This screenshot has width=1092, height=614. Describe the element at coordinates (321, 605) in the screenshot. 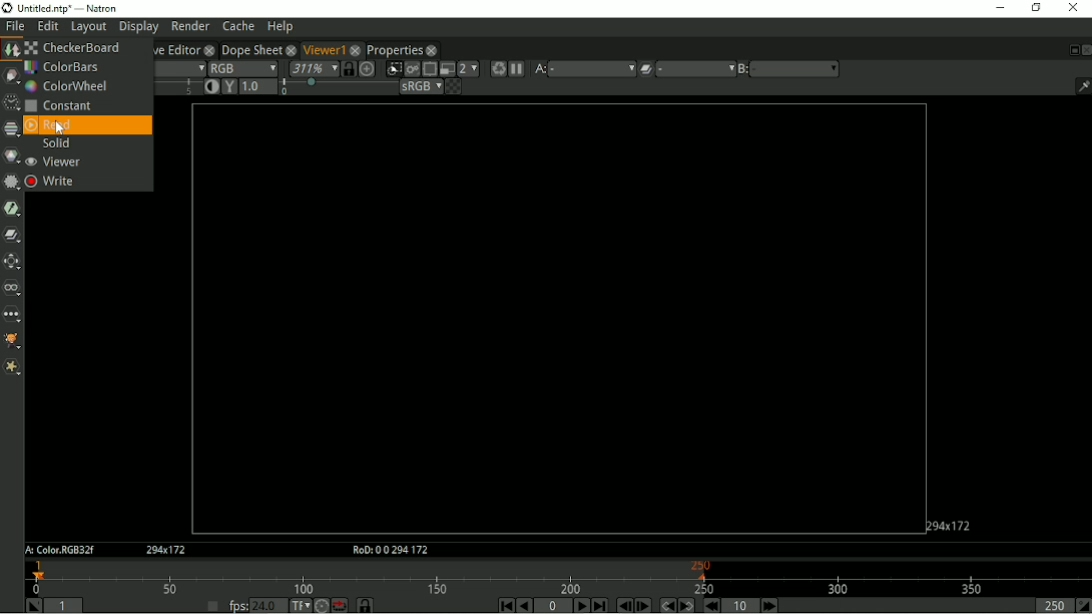

I see `Turbo mode` at that location.